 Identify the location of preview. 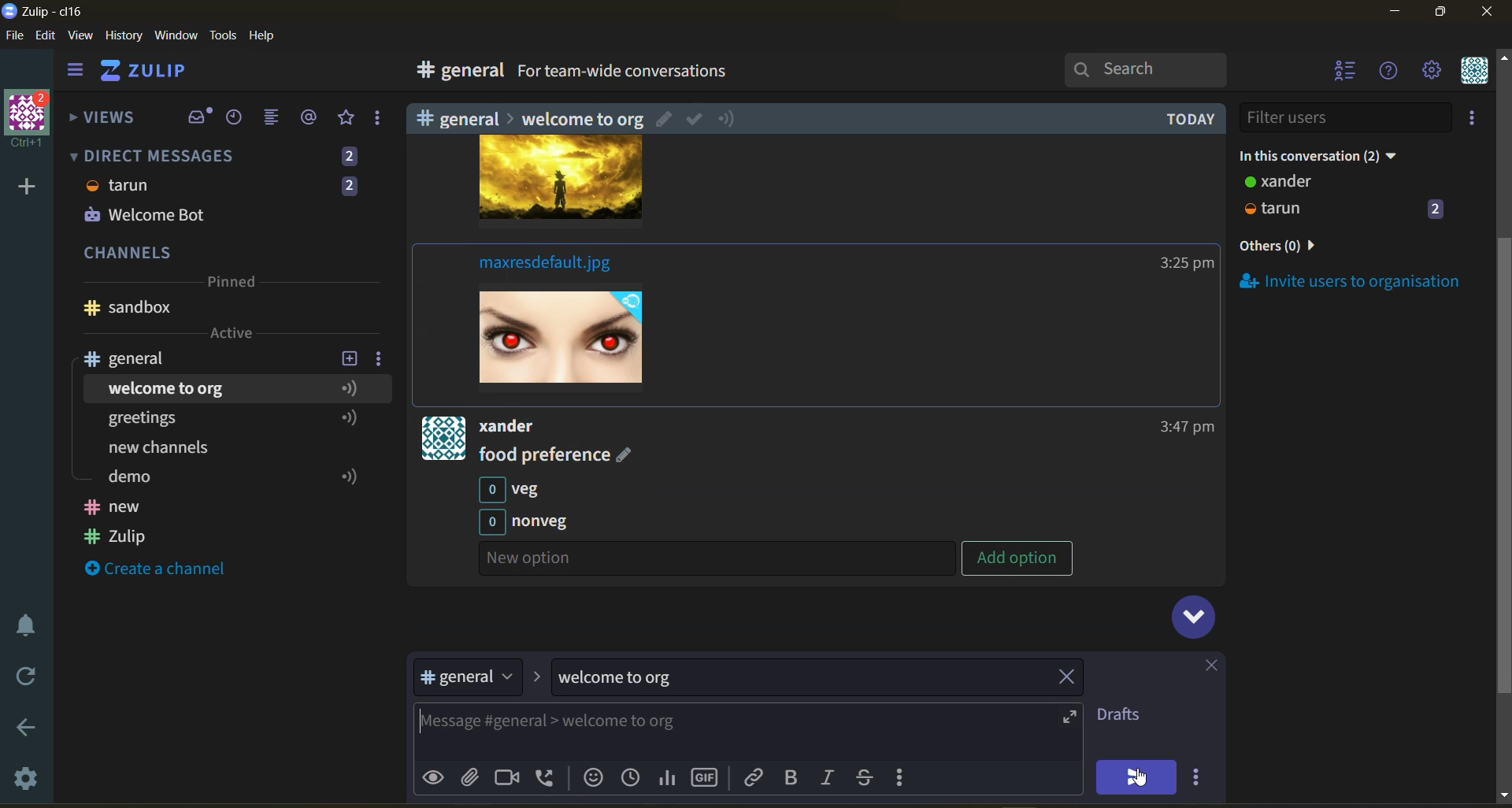
(437, 776).